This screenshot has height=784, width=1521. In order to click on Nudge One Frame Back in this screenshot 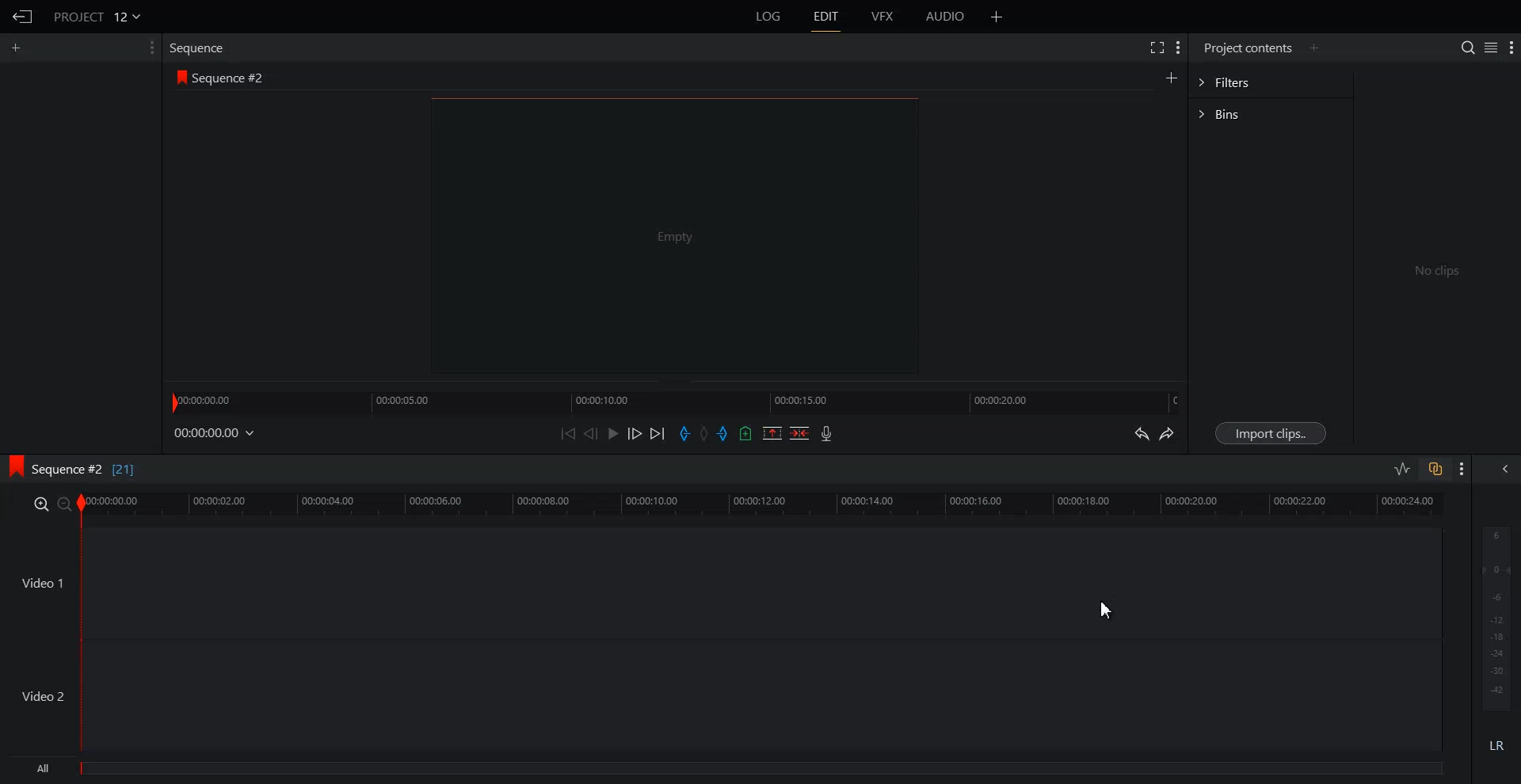, I will do `click(592, 433)`.